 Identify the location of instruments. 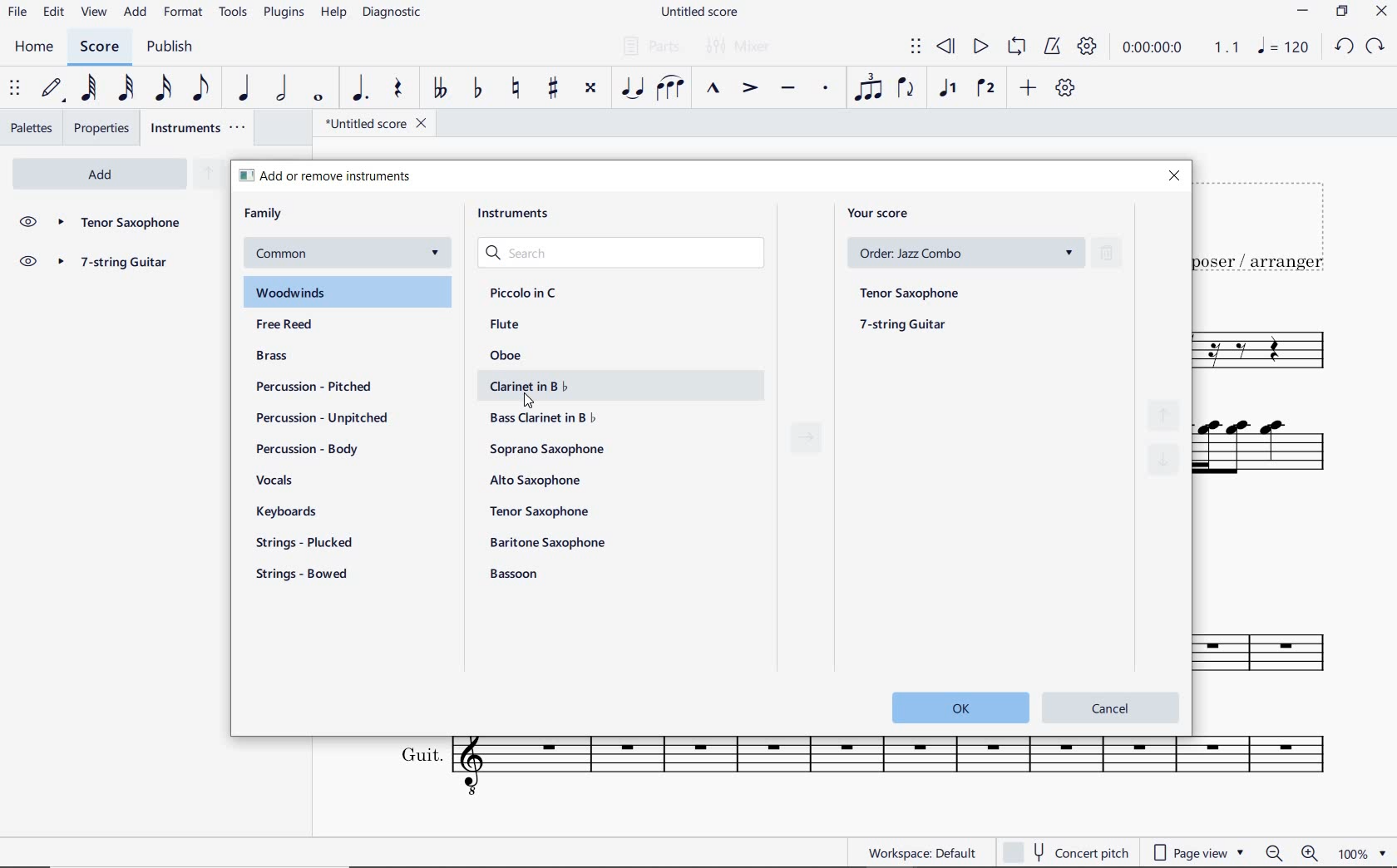
(519, 217).